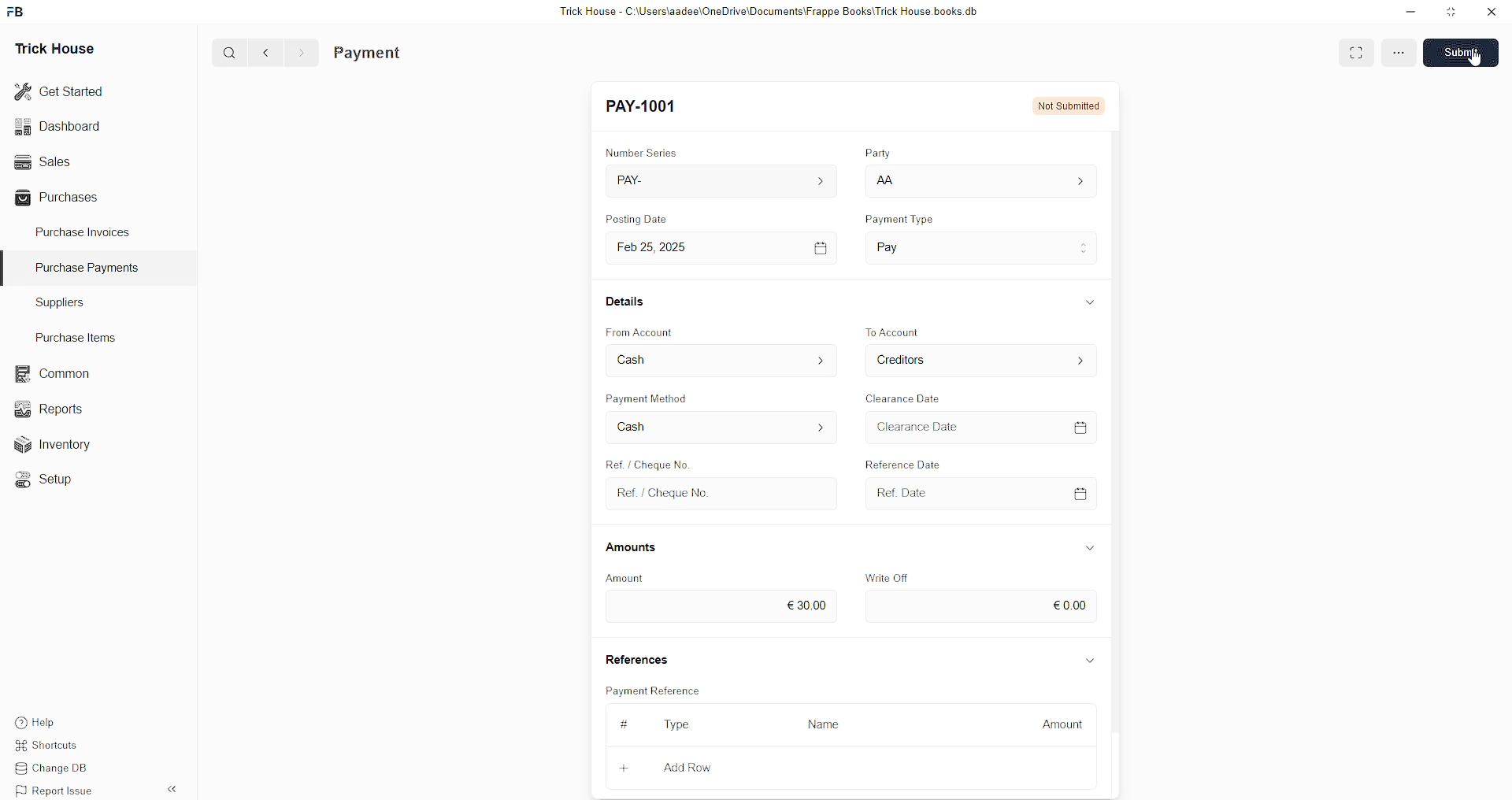 The image size is (1512, 800). Describe the element at coordinates (61, 448) in the screenshot. I see `Inventory` at that location.